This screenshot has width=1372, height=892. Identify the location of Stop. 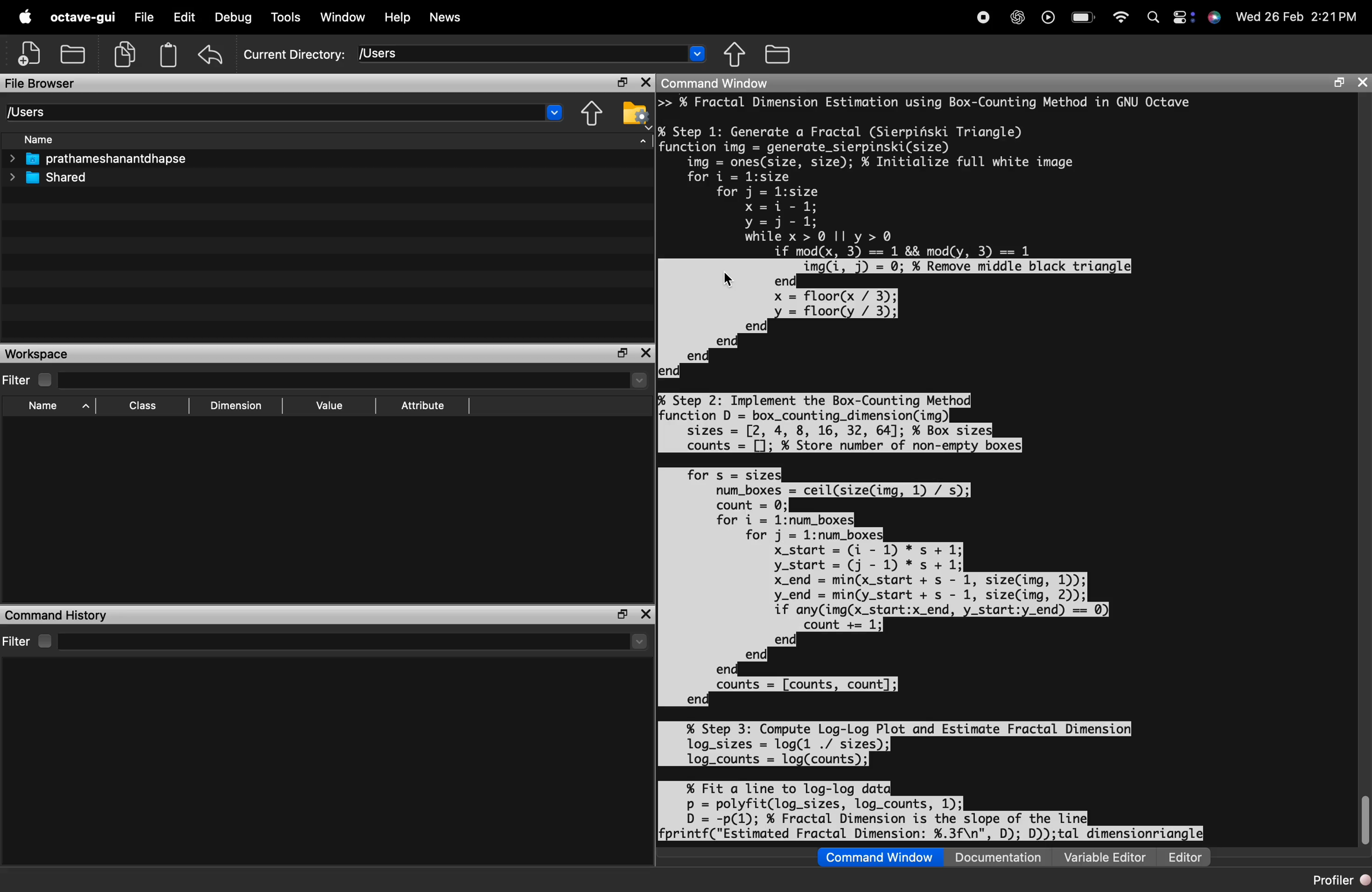
(985, 16).